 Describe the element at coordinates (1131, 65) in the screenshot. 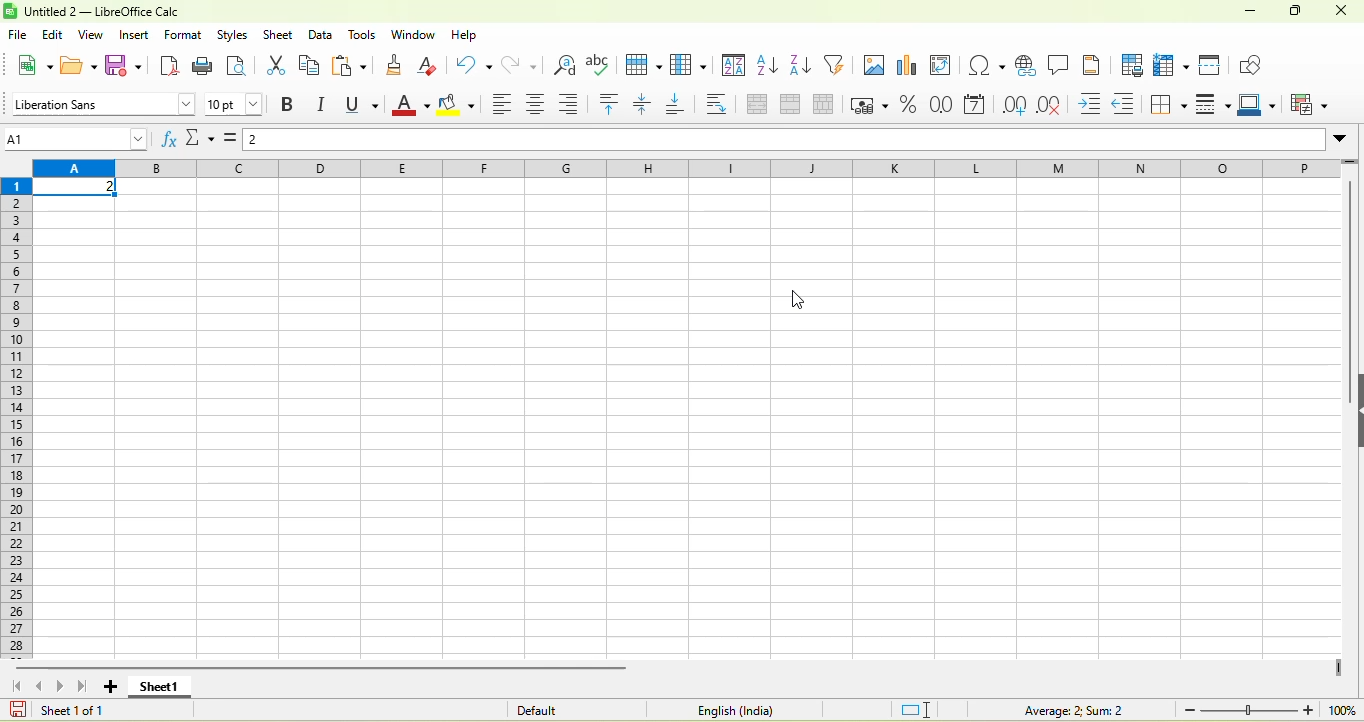

I see `define print area` at that location.